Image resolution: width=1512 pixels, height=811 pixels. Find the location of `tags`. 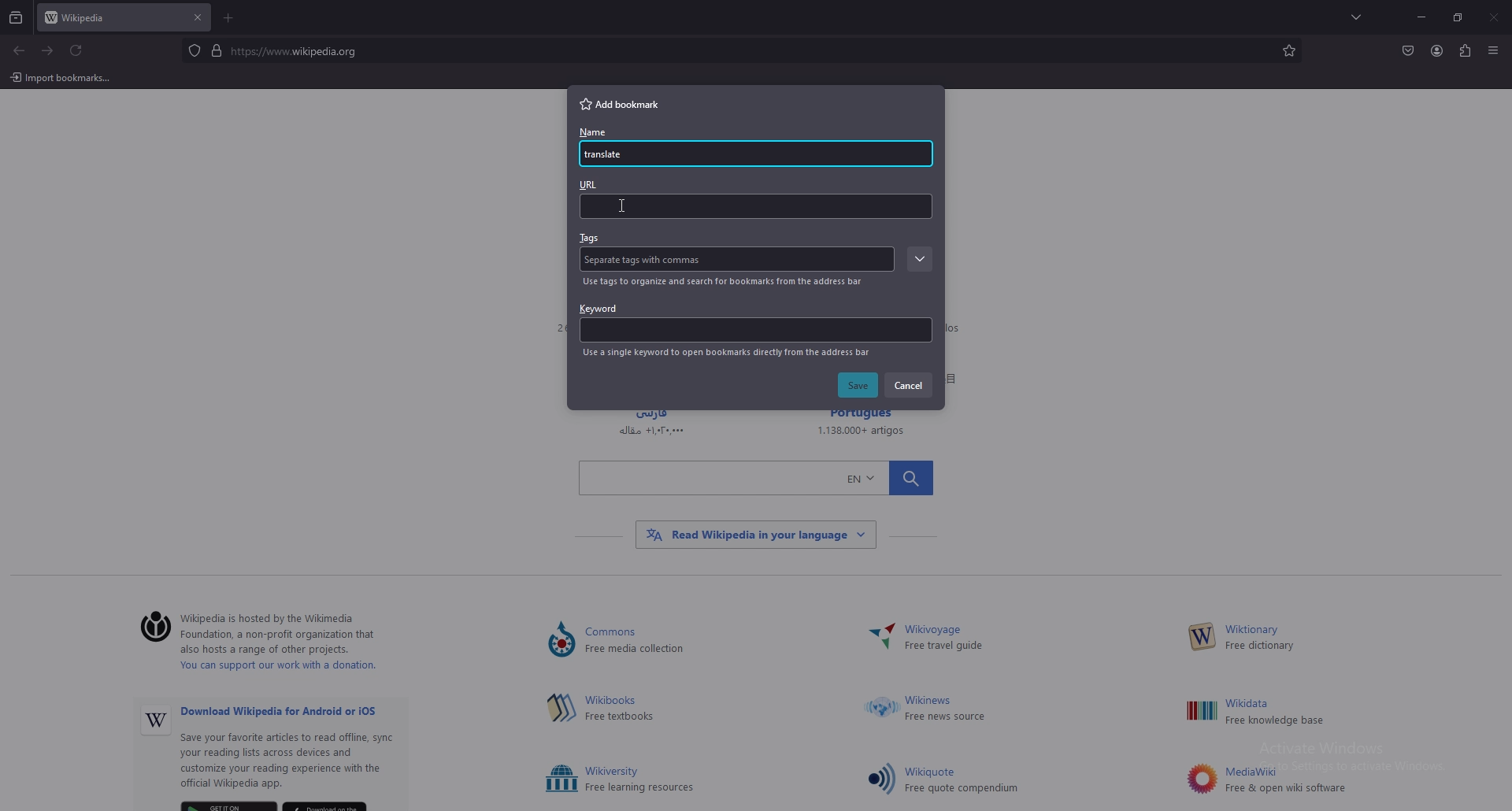

tags is located at coordinates (596, 239).